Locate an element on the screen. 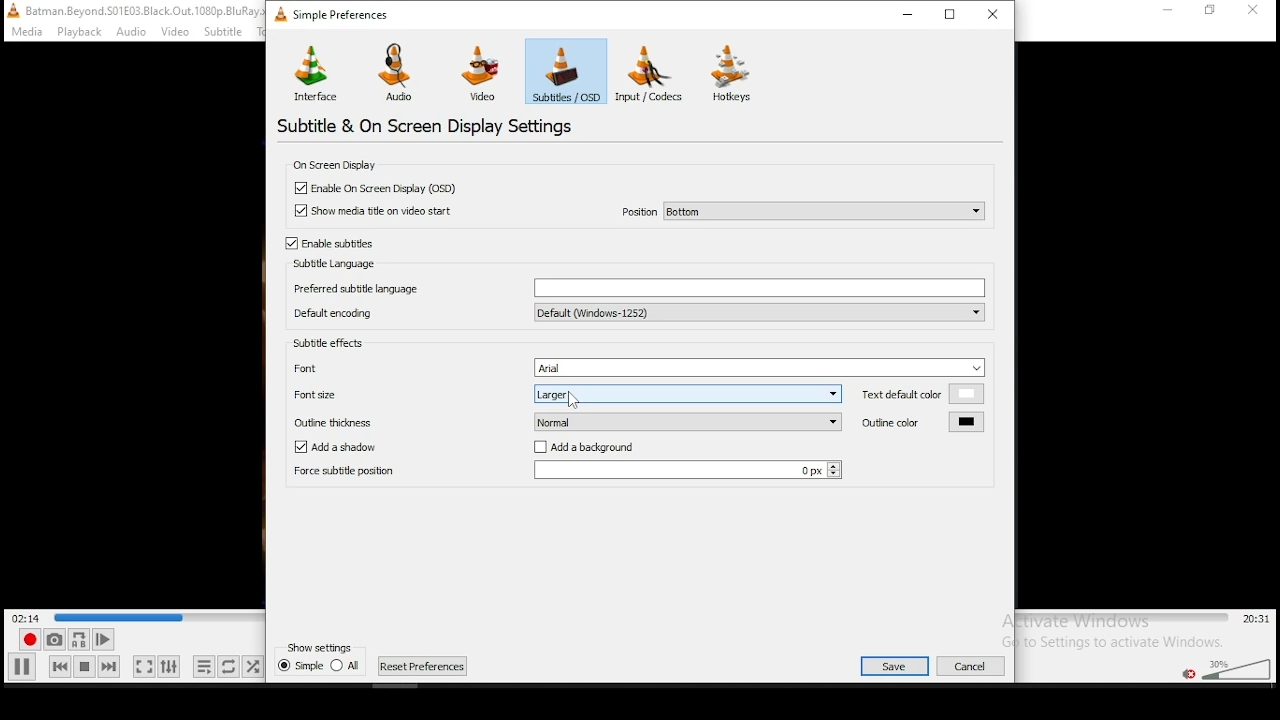 This screenshot has width=1280, height=720. take a snapshot is located at coordinates (52, 640).